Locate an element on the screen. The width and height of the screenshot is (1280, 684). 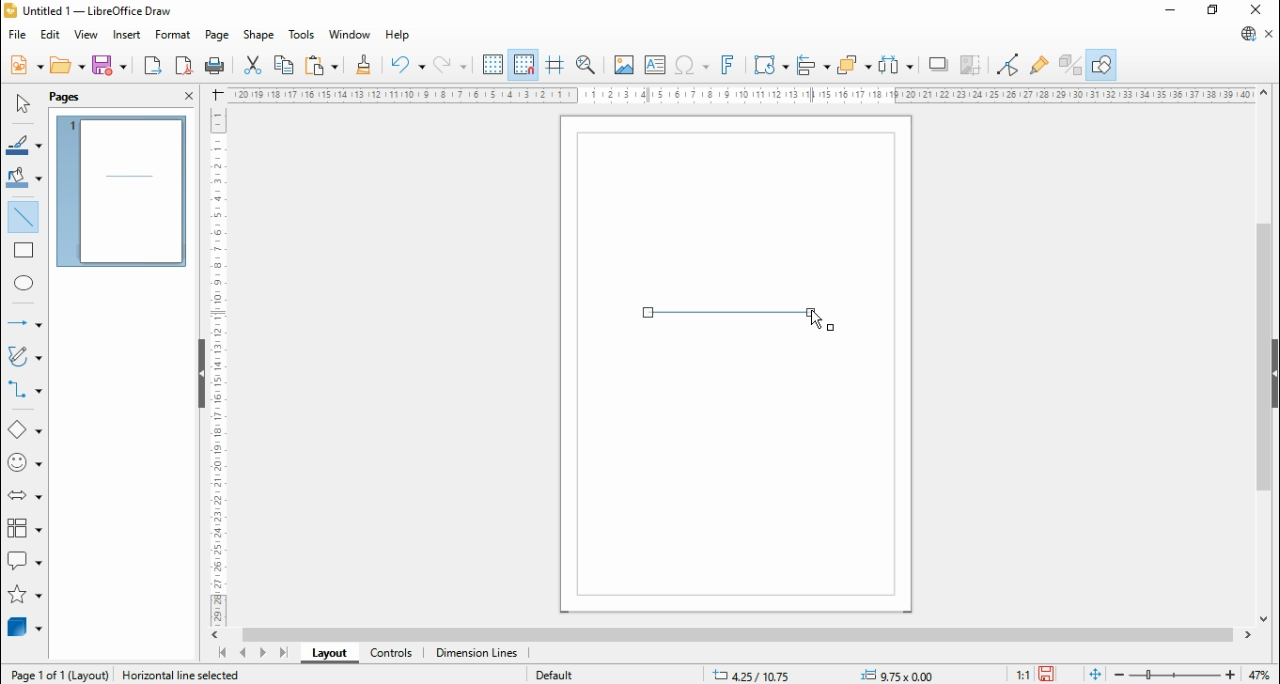
block arrows is located at coordinates (24, 496).